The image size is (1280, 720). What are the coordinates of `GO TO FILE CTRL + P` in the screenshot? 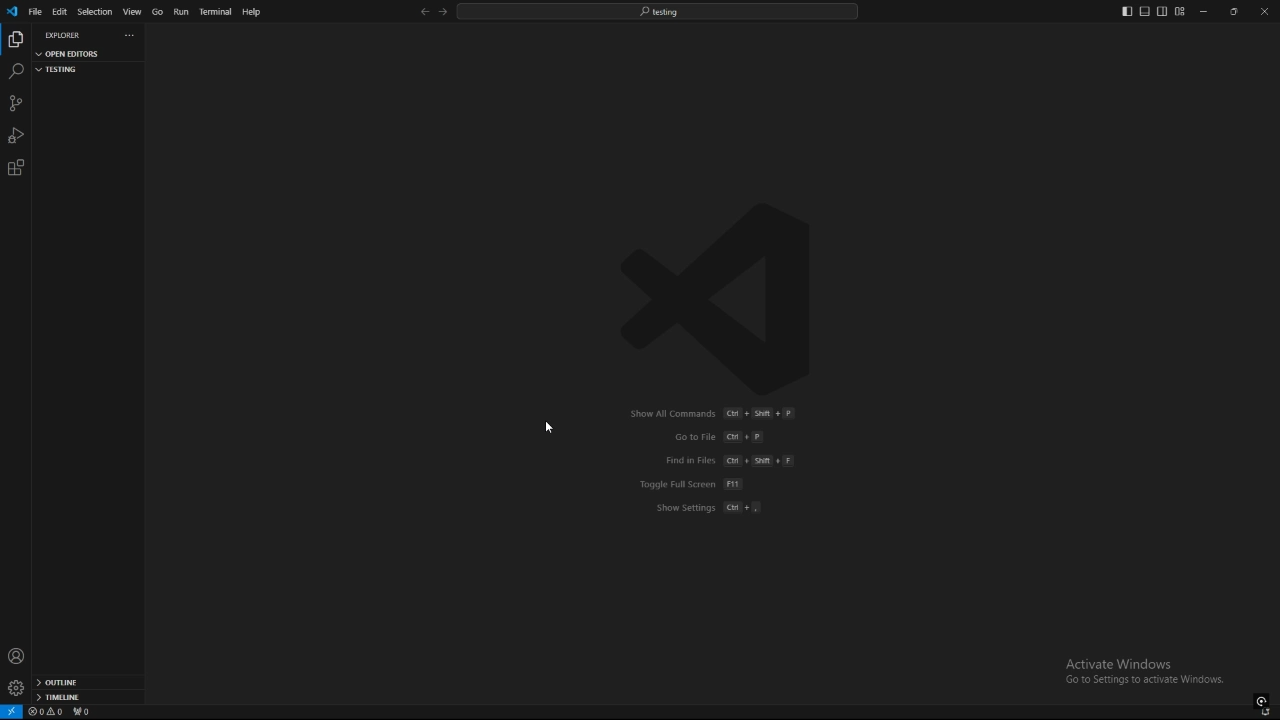 It's located at (698, 436).